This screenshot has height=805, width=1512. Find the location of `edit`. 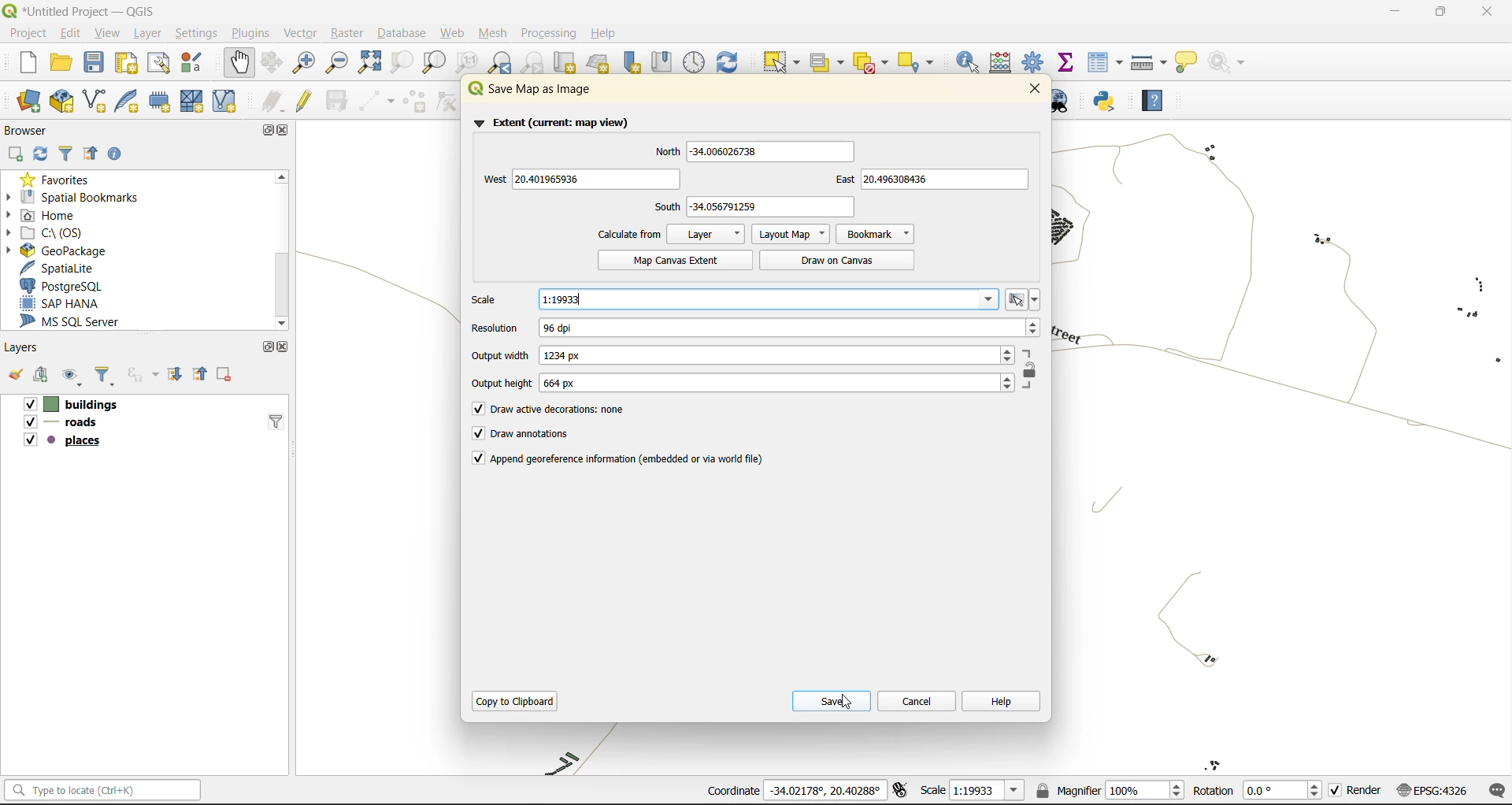

edit is located at coordinates (67, 32).